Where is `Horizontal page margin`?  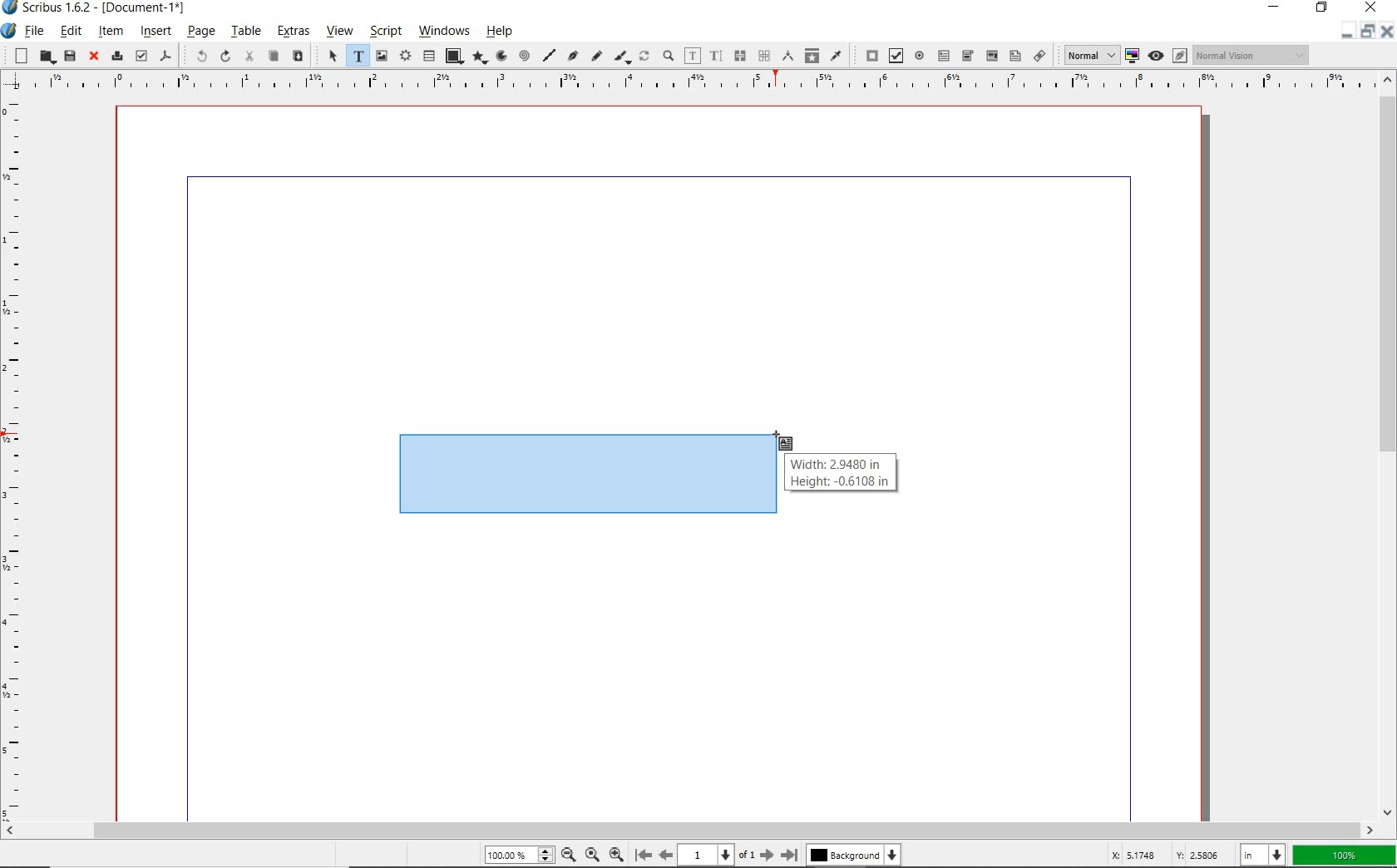 Horizontal page margin is located at coordinates (23, 458).